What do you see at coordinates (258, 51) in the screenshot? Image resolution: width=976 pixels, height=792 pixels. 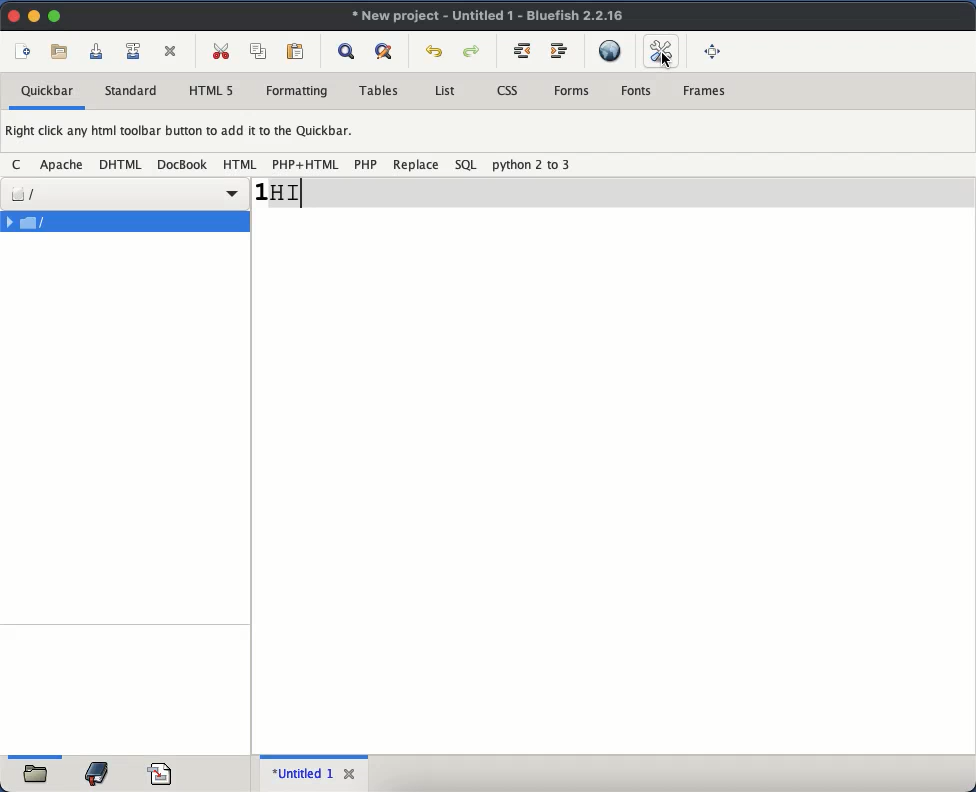 I see `copy` at bounding box center [258, 51].